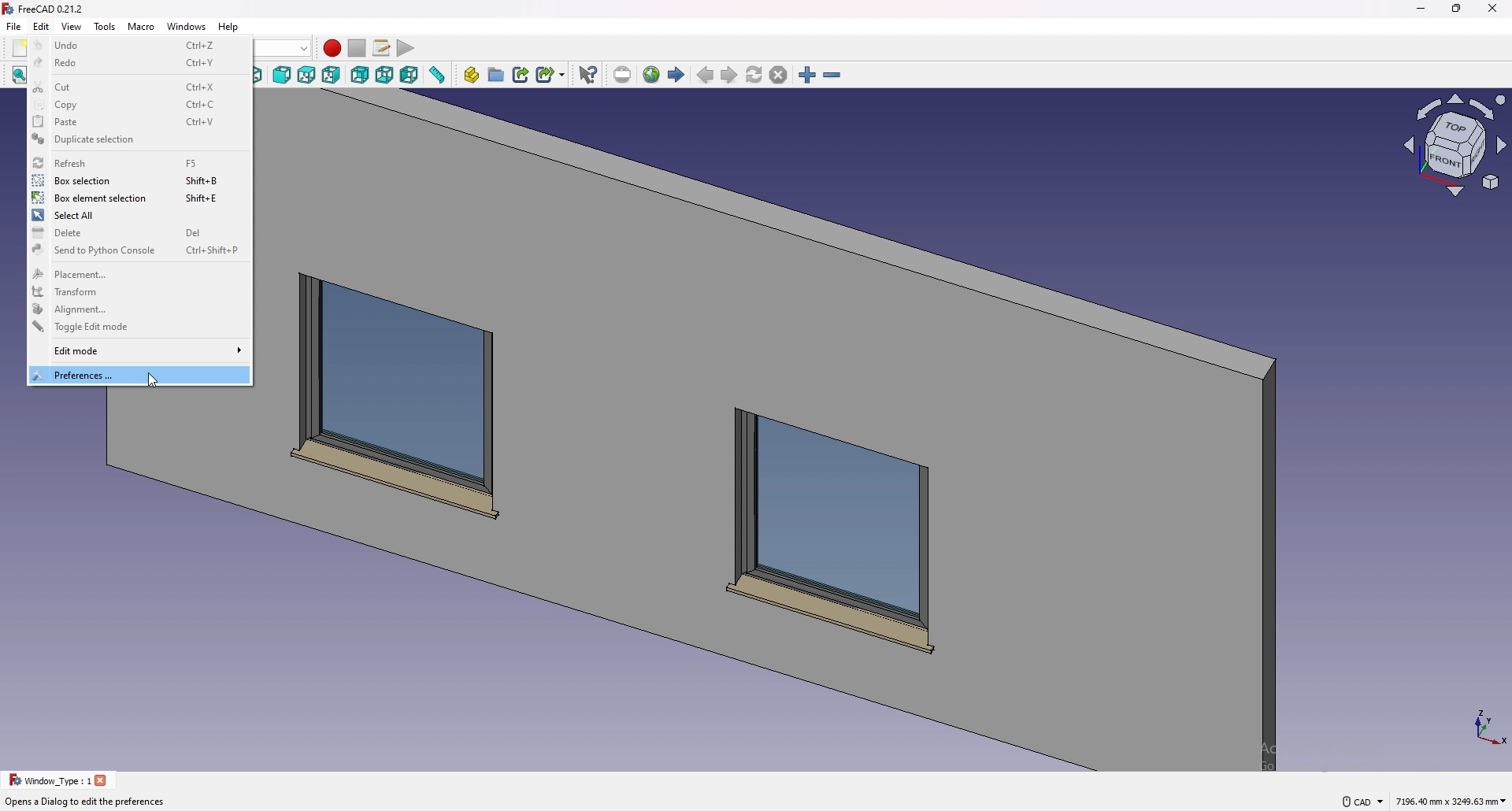  I want to click on close, so click(1492, 9).